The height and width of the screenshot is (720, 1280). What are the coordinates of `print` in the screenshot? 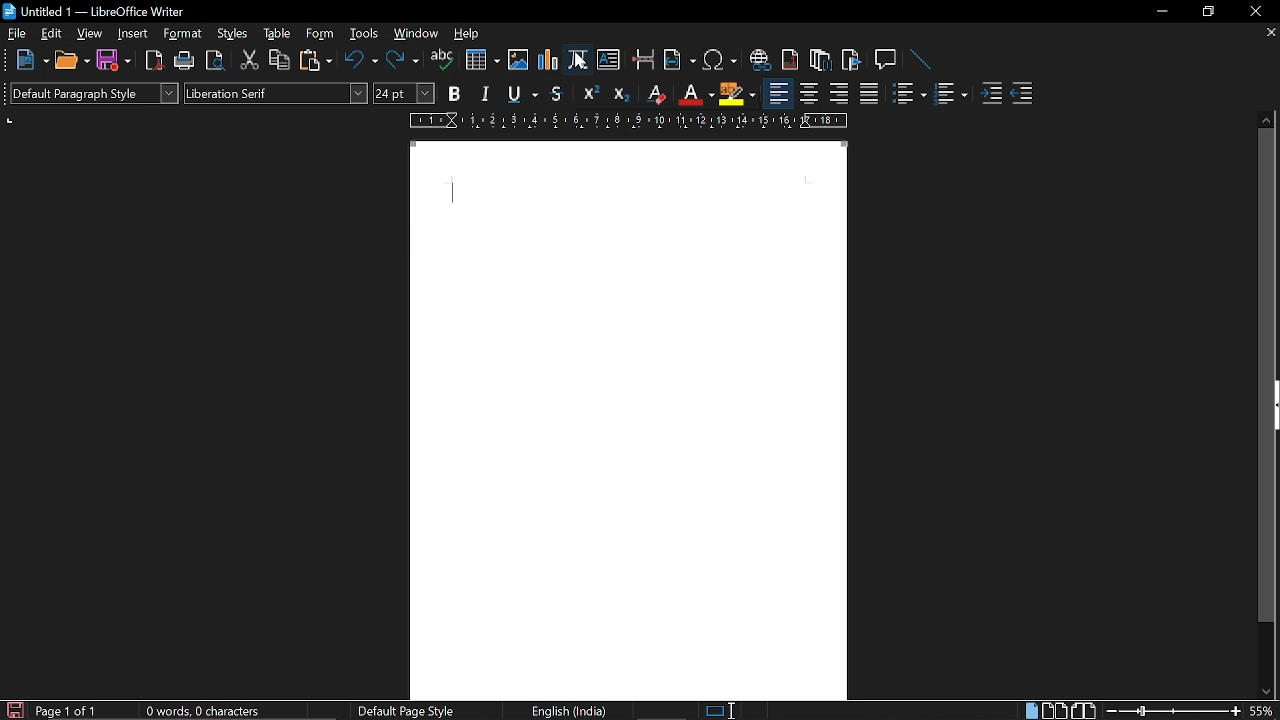 It's located at (185, 61).